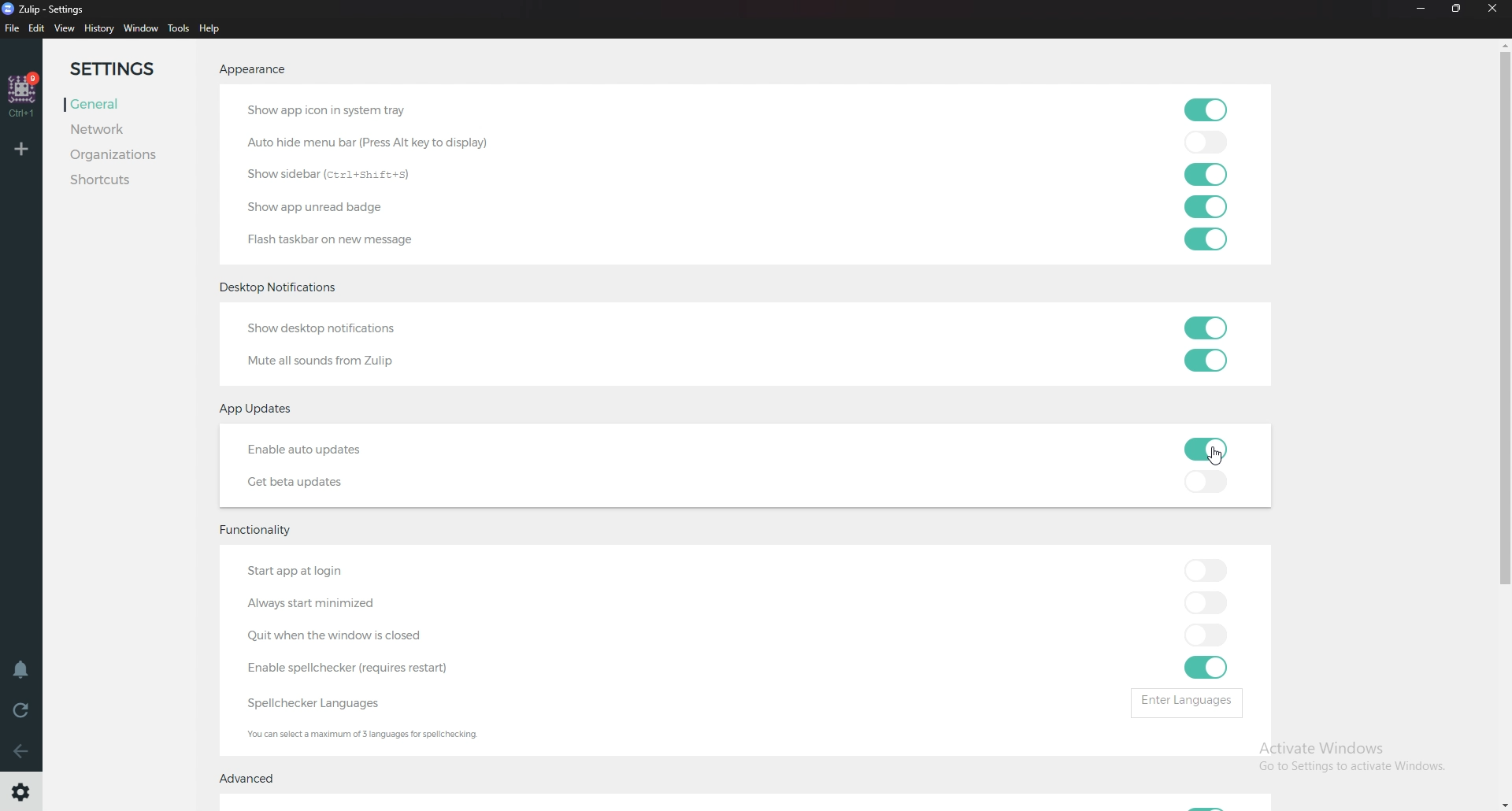 The image size is (1512, 811). What do you see at coordinates (261, 533) in the screenshot?
I see `Functionality` at bounding box center [261, 533].